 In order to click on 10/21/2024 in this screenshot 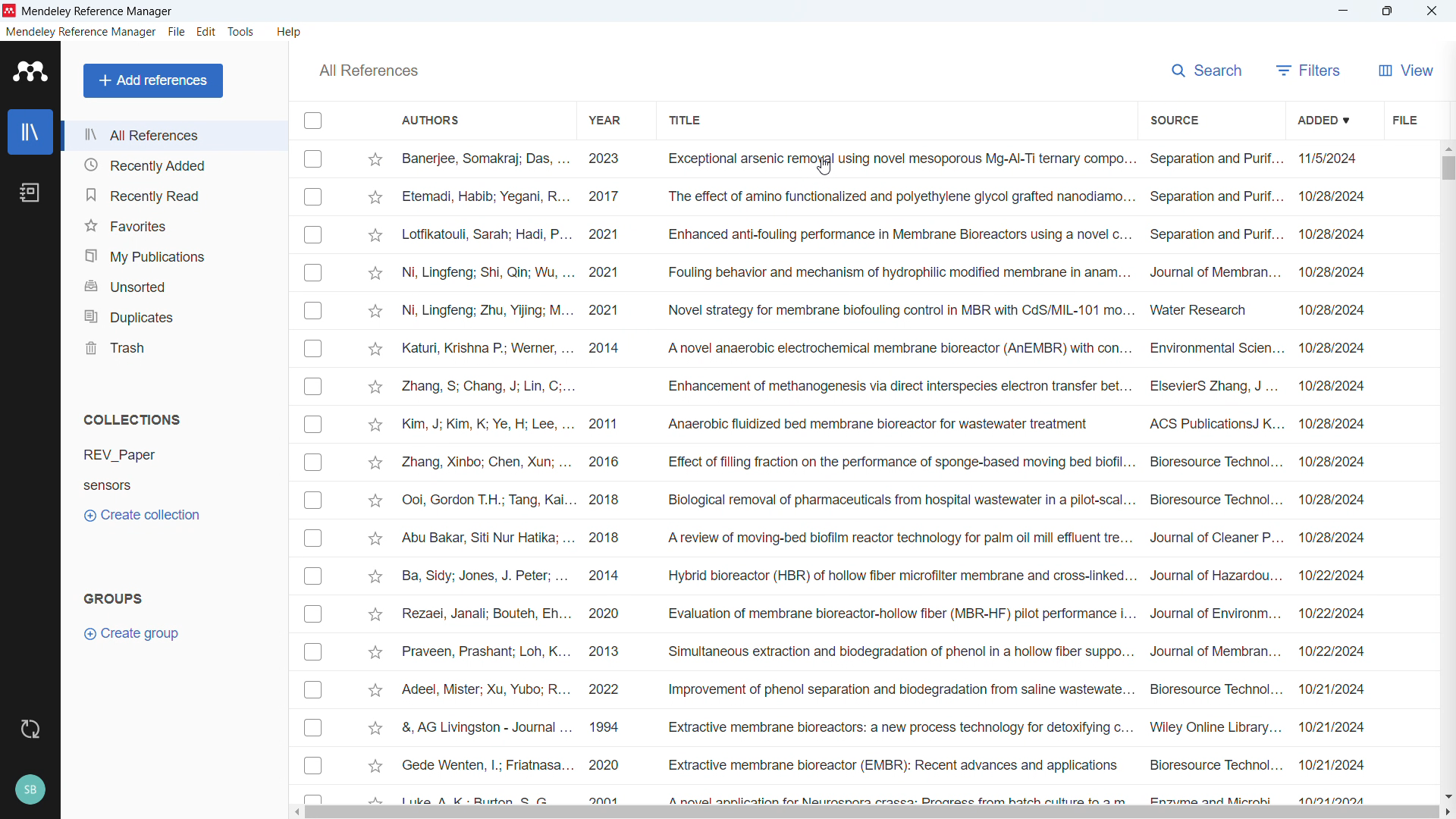, I will do `click(1343, 688)`.